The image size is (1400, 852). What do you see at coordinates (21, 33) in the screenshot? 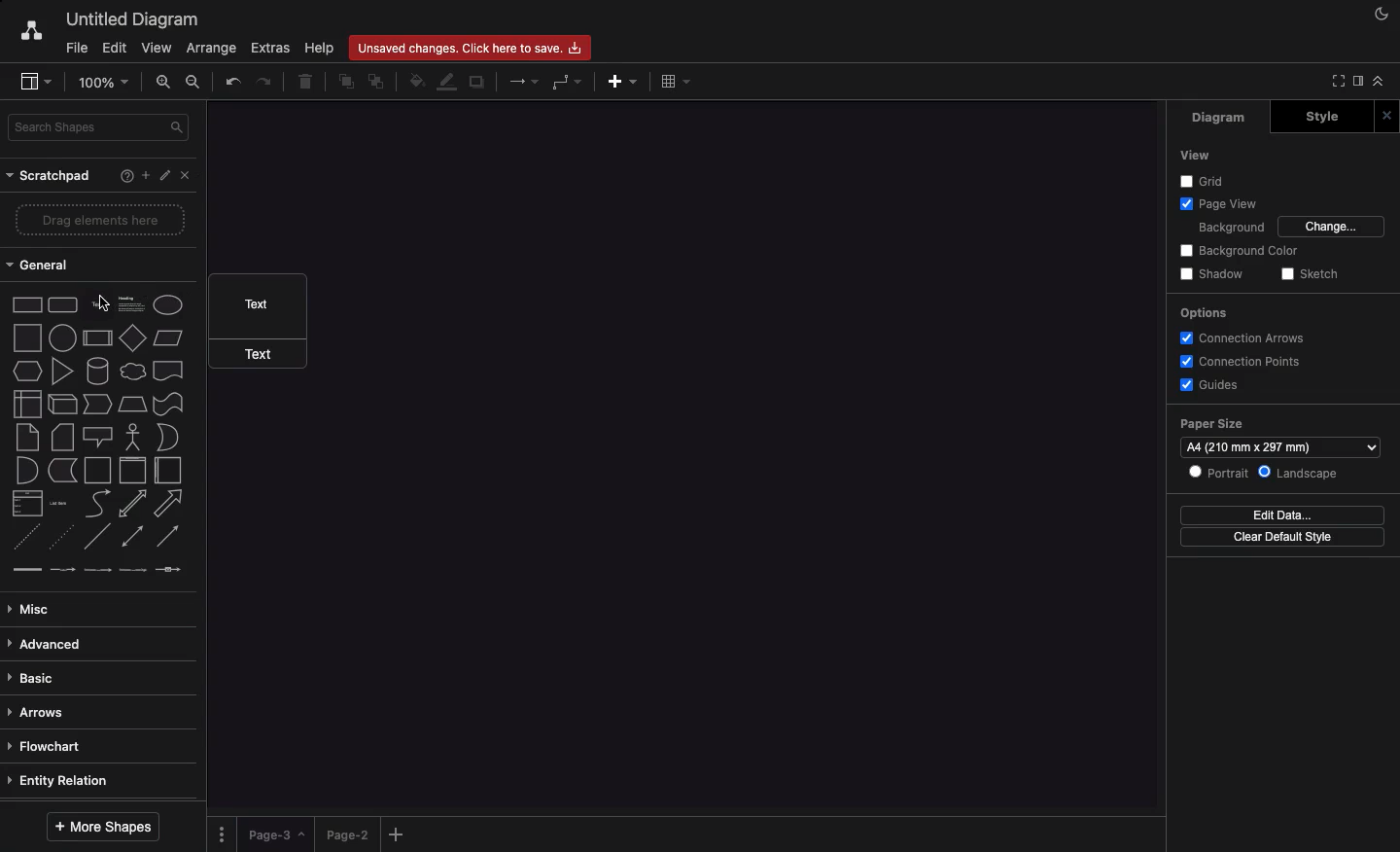
I see `Draw.io` at bounding box center [21, 33].